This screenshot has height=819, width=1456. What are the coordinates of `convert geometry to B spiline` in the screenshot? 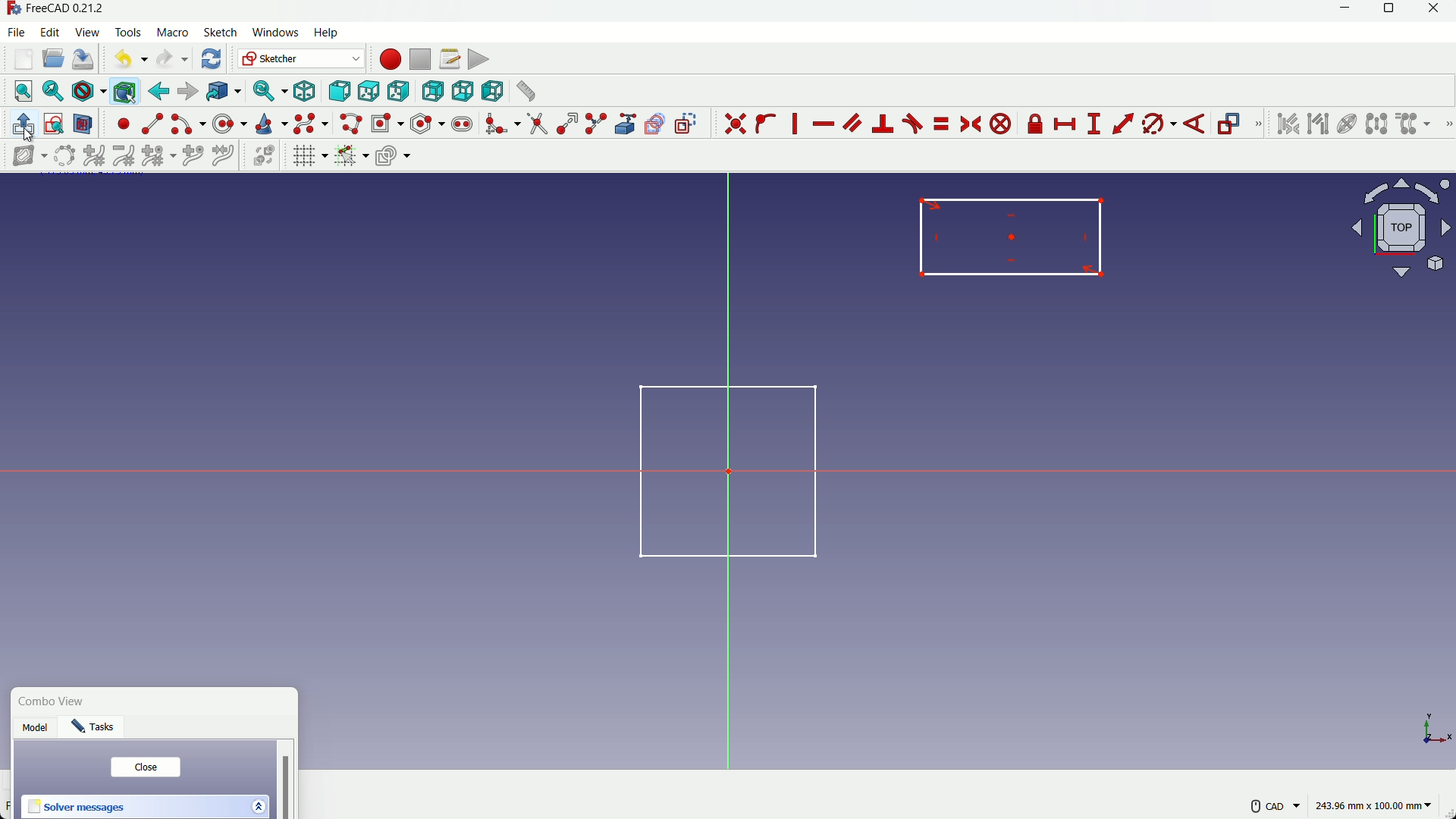 It's located at (61, 157).